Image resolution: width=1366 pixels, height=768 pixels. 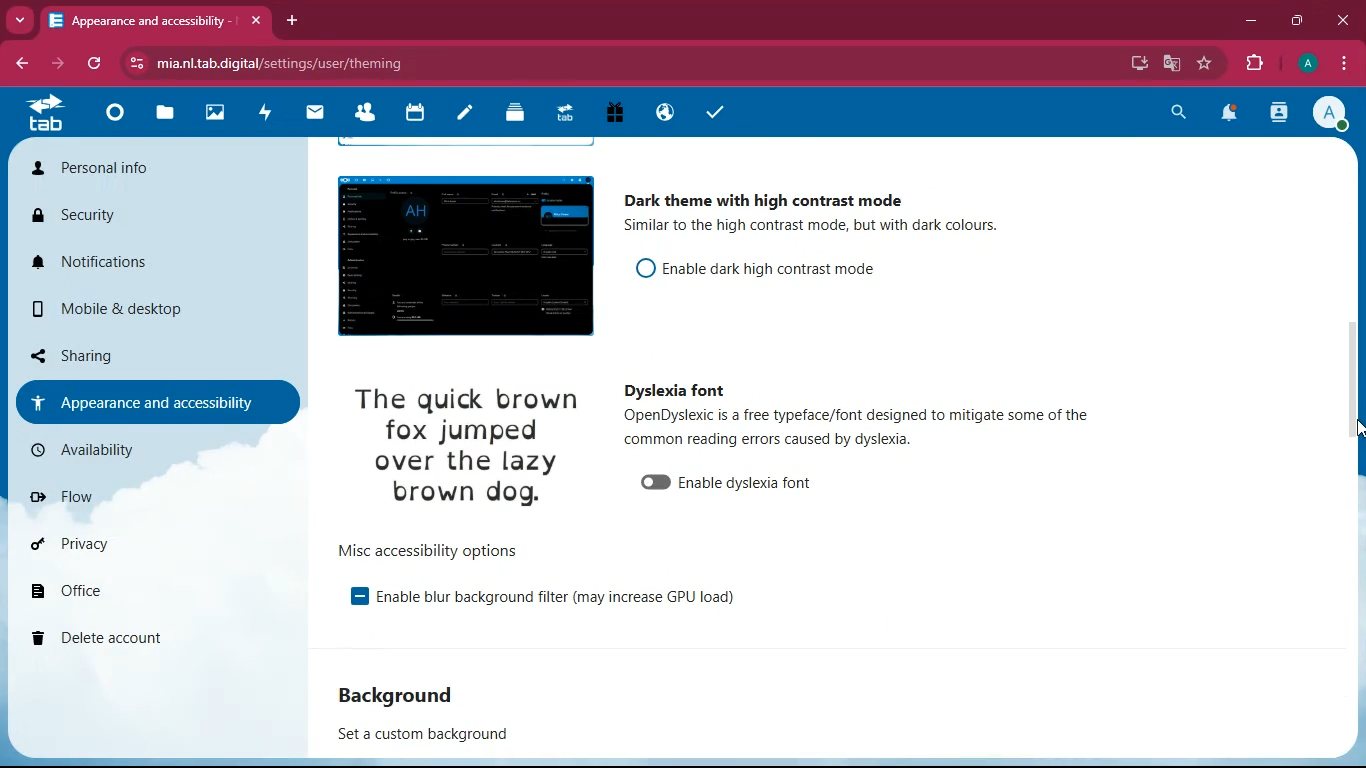 What do you see at coordinates (1276, 115) in the screenshot?
I see `activity` at bounding box center [1276, 115].